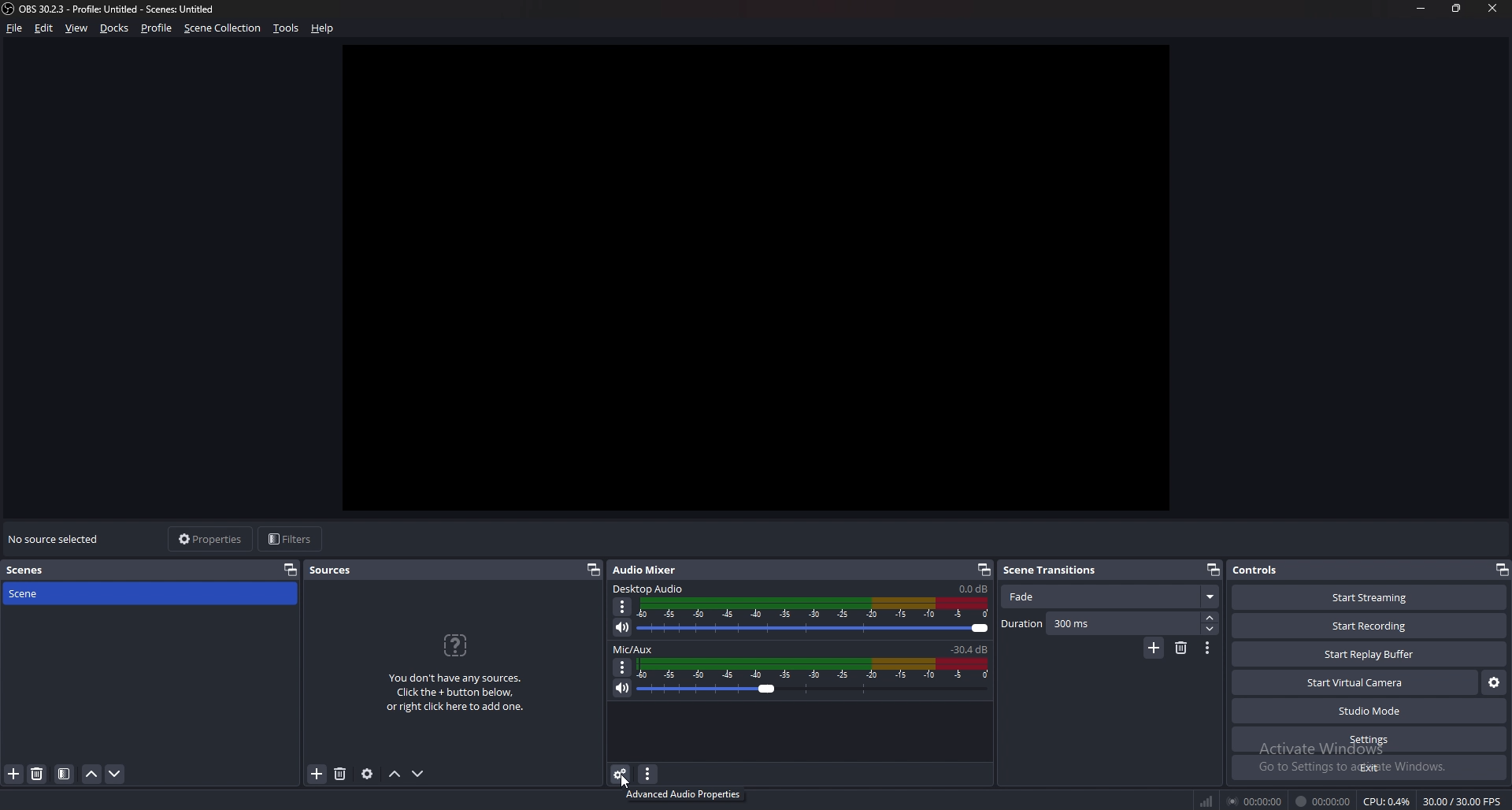  What do you see at coordinates (1495, 9) in the screenshot?
I see `close` at bounding box center [1495, 9].